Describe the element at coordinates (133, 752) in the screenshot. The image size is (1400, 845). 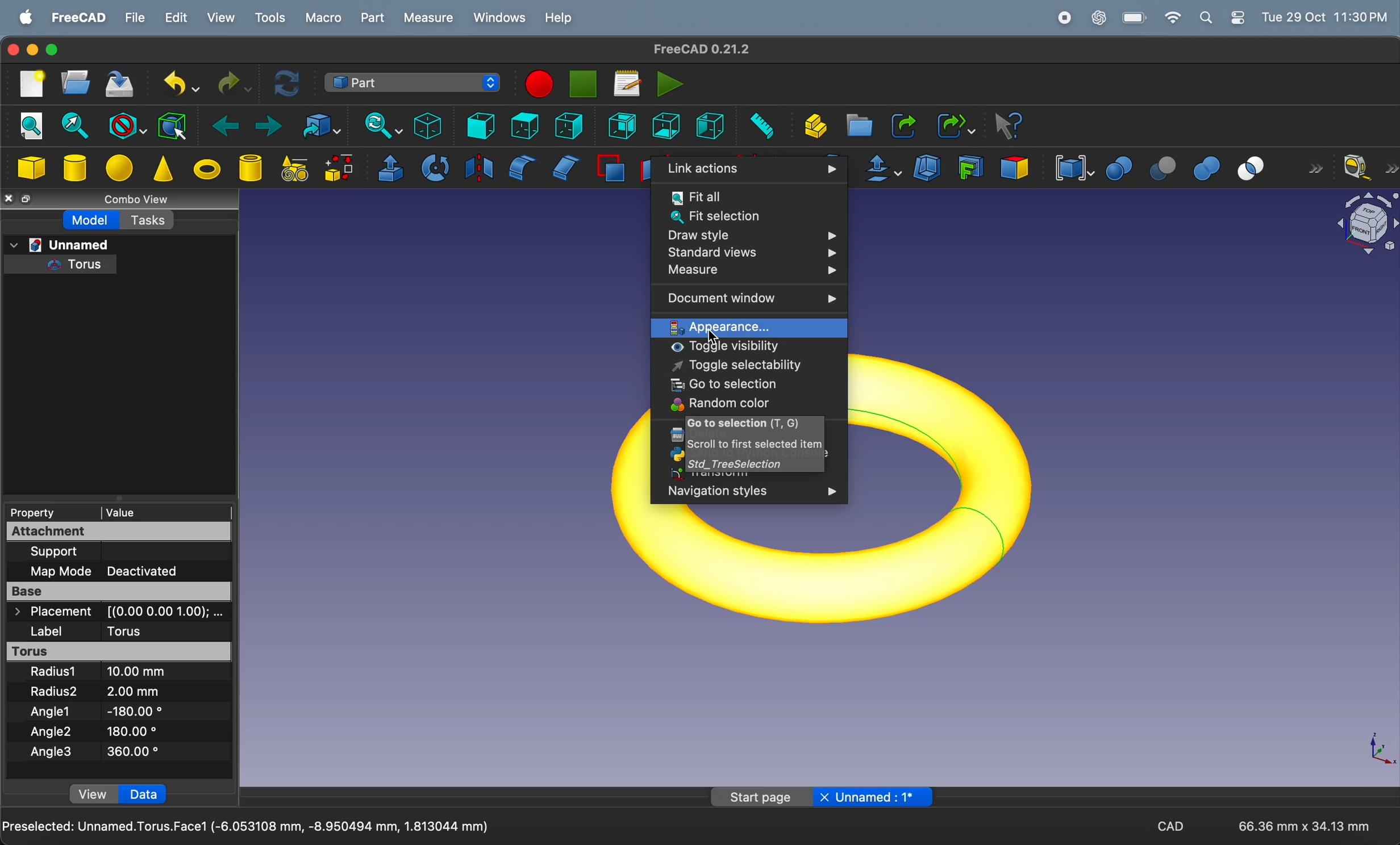
I see `360.00` at that location.